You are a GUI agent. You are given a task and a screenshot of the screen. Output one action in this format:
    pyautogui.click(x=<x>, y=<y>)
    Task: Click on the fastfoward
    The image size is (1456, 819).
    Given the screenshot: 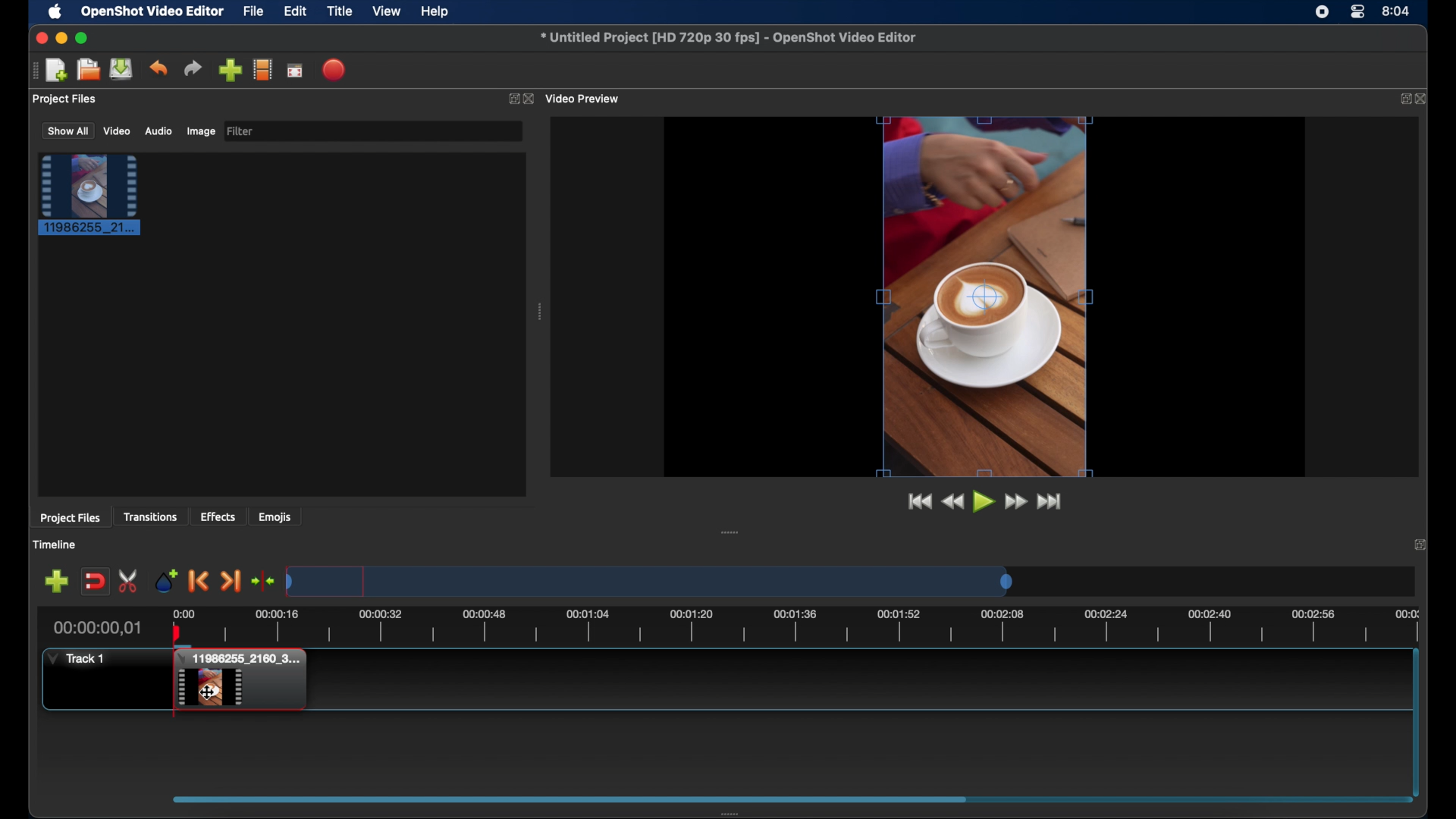 What is the action you would take?
    pyautogui.click(x=1017, y=501)
    